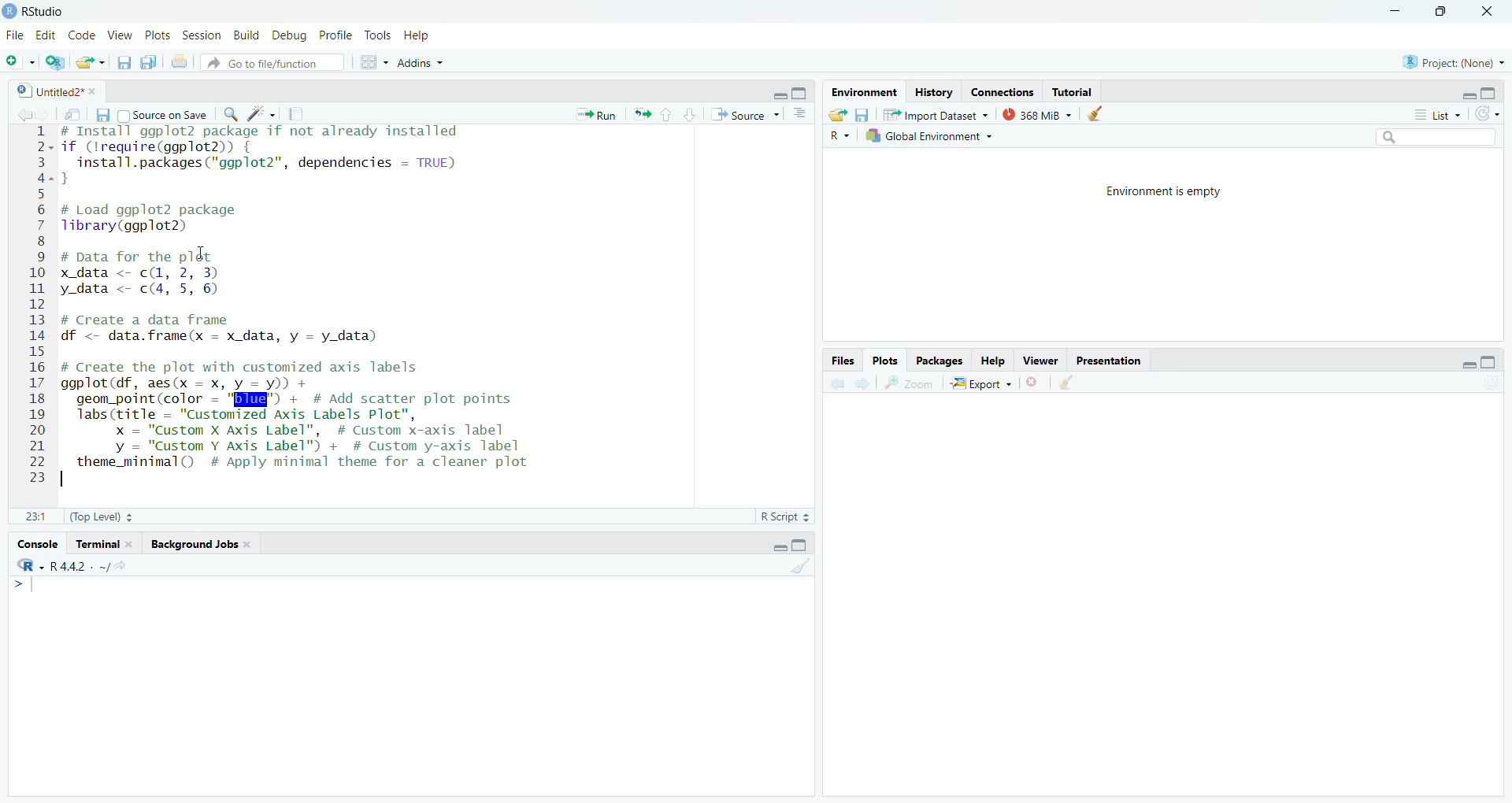 This screenshot has width=1512, height=803. Describe the element at coordinates (120, 65) in the screenshot. I see `save` at that location.